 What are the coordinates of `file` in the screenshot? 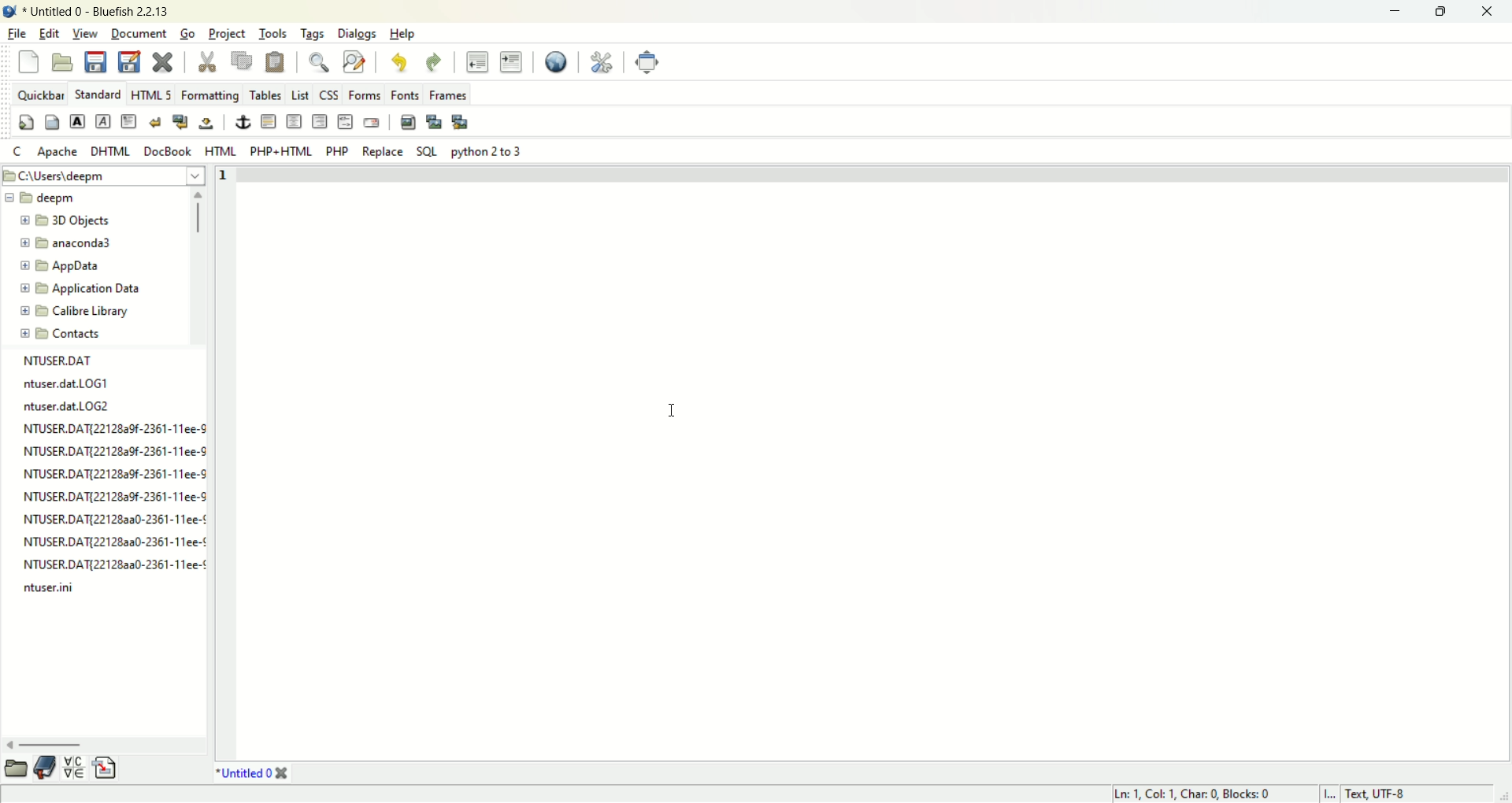 It's located at (14, 35).